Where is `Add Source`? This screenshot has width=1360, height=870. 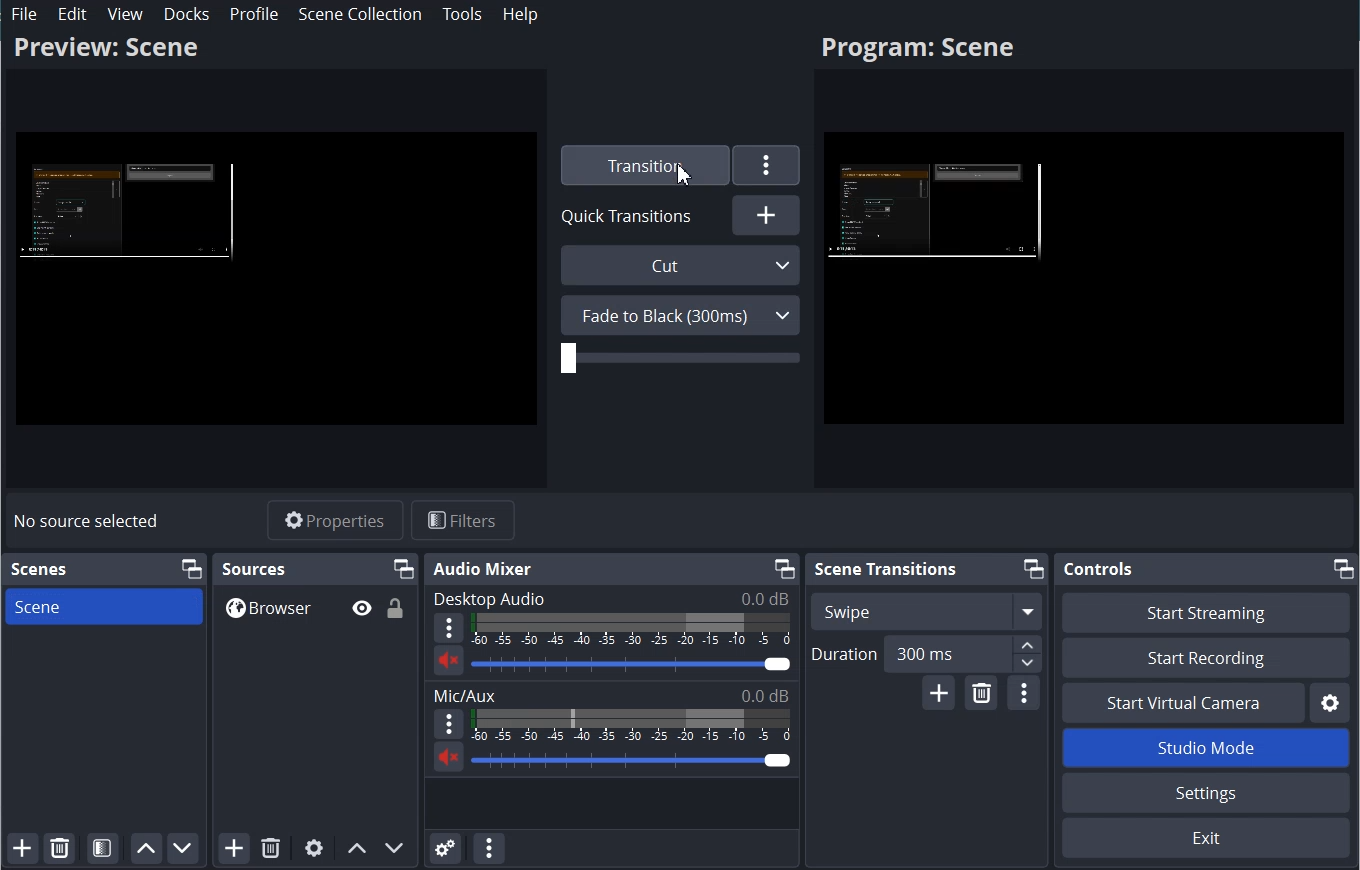 Add Source is located at coordinates (233, 848).